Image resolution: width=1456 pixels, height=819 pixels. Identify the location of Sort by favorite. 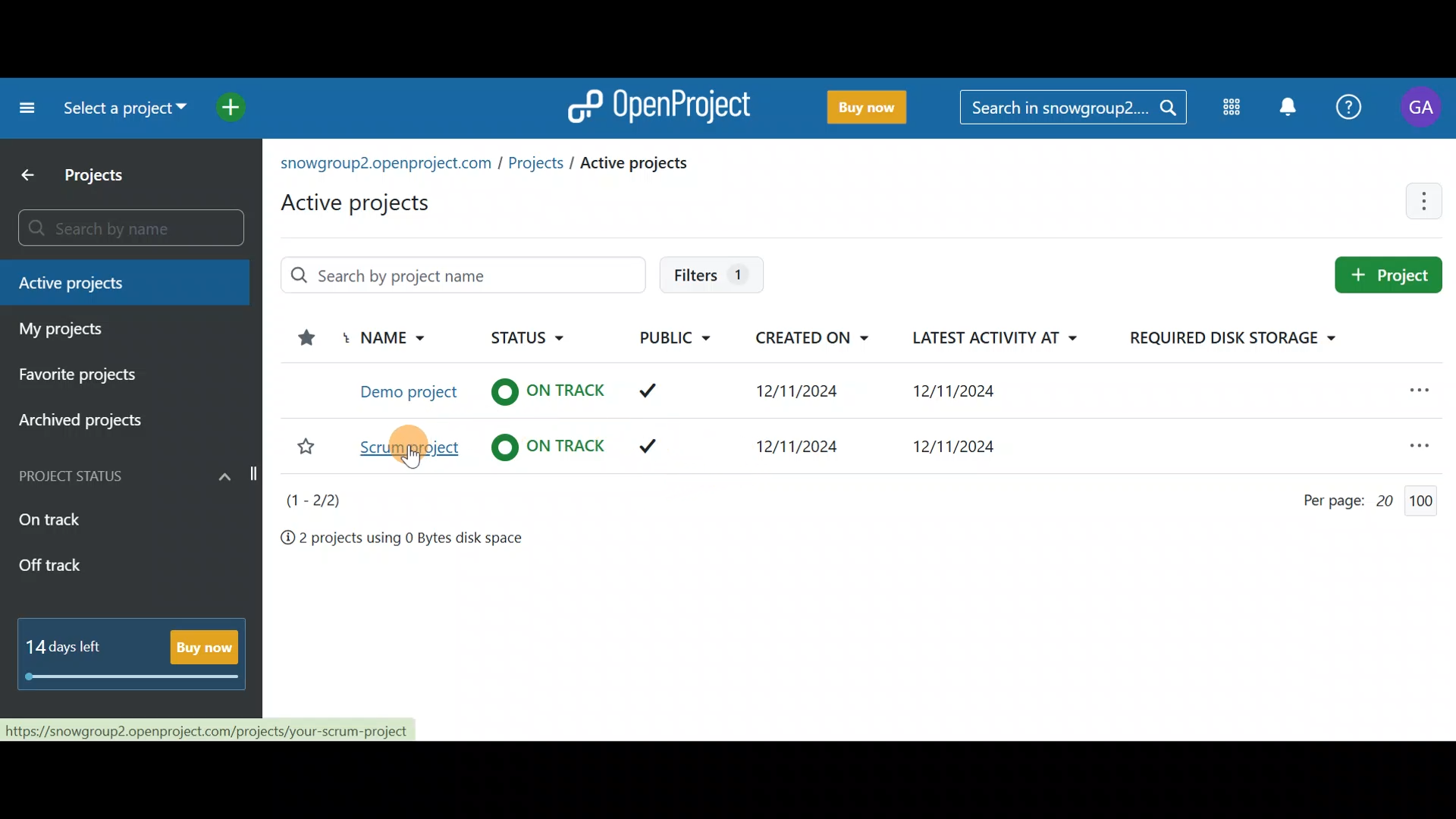
(300, 340).